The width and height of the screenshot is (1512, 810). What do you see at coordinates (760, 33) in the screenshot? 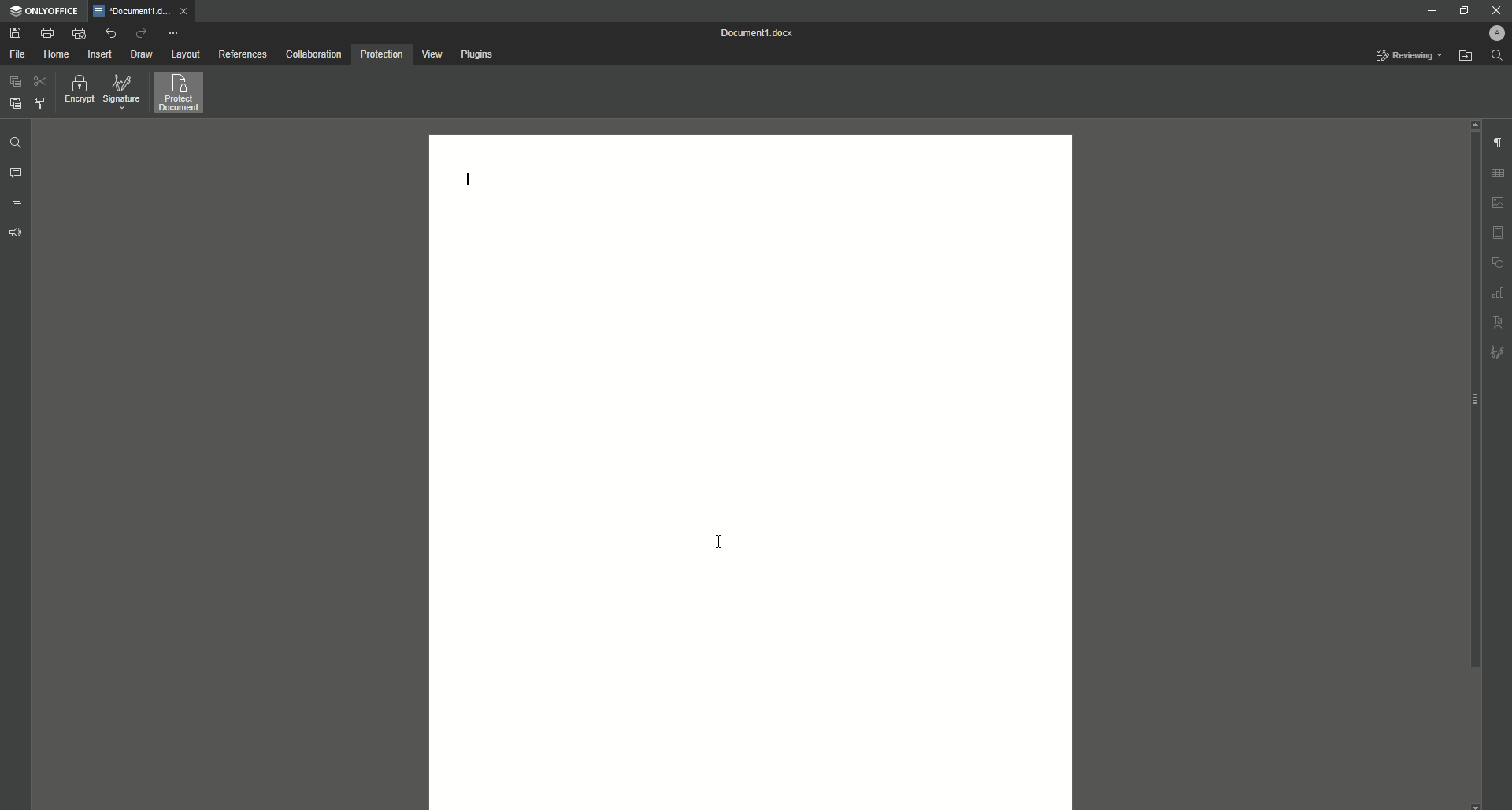
I see `Document 1` at bounding box center [760, 33].